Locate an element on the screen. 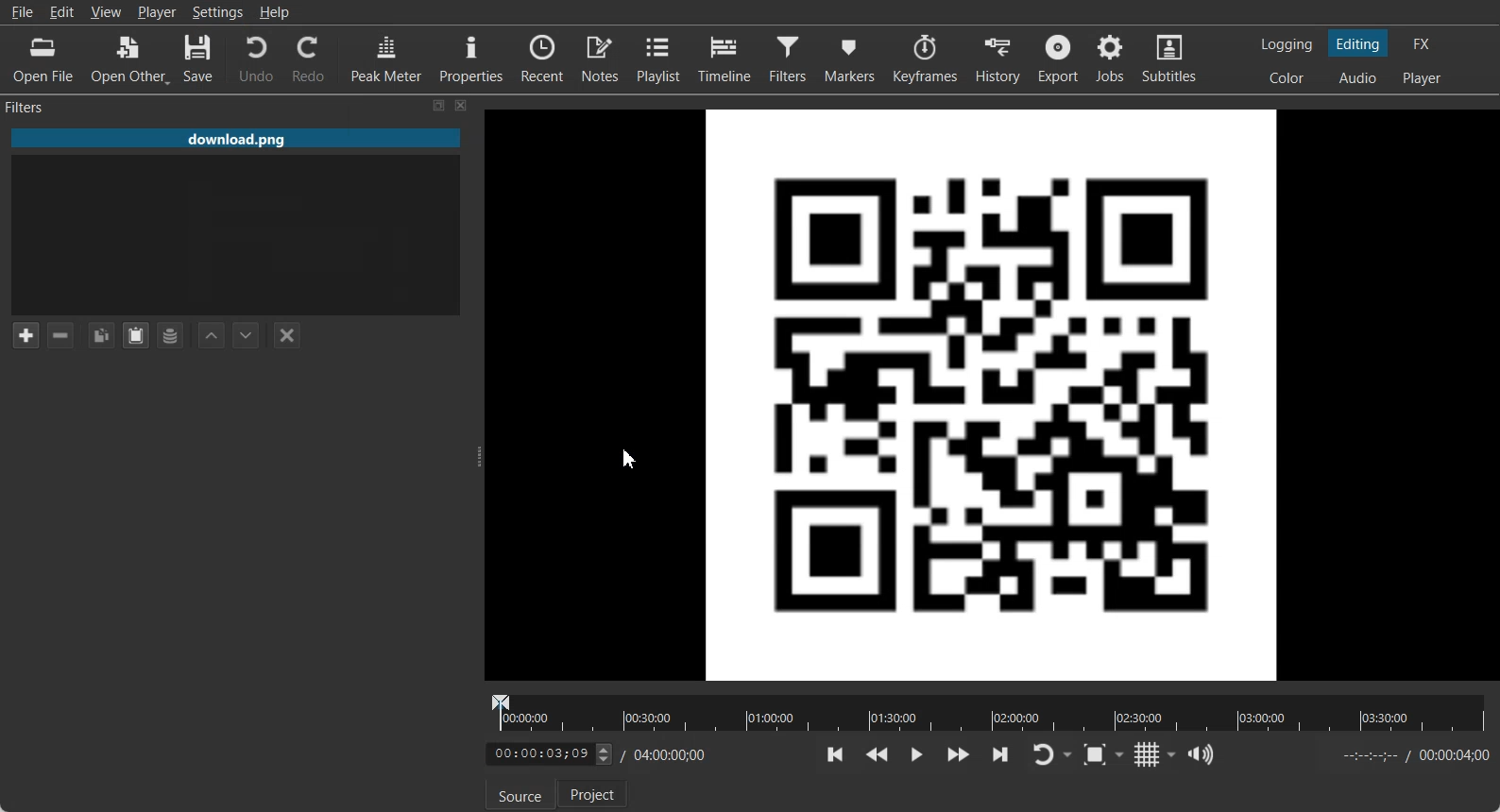 Image resolution: width=1500 pixels, height=812 pixels. Skip to the next point is located at coordinates (999, 754).